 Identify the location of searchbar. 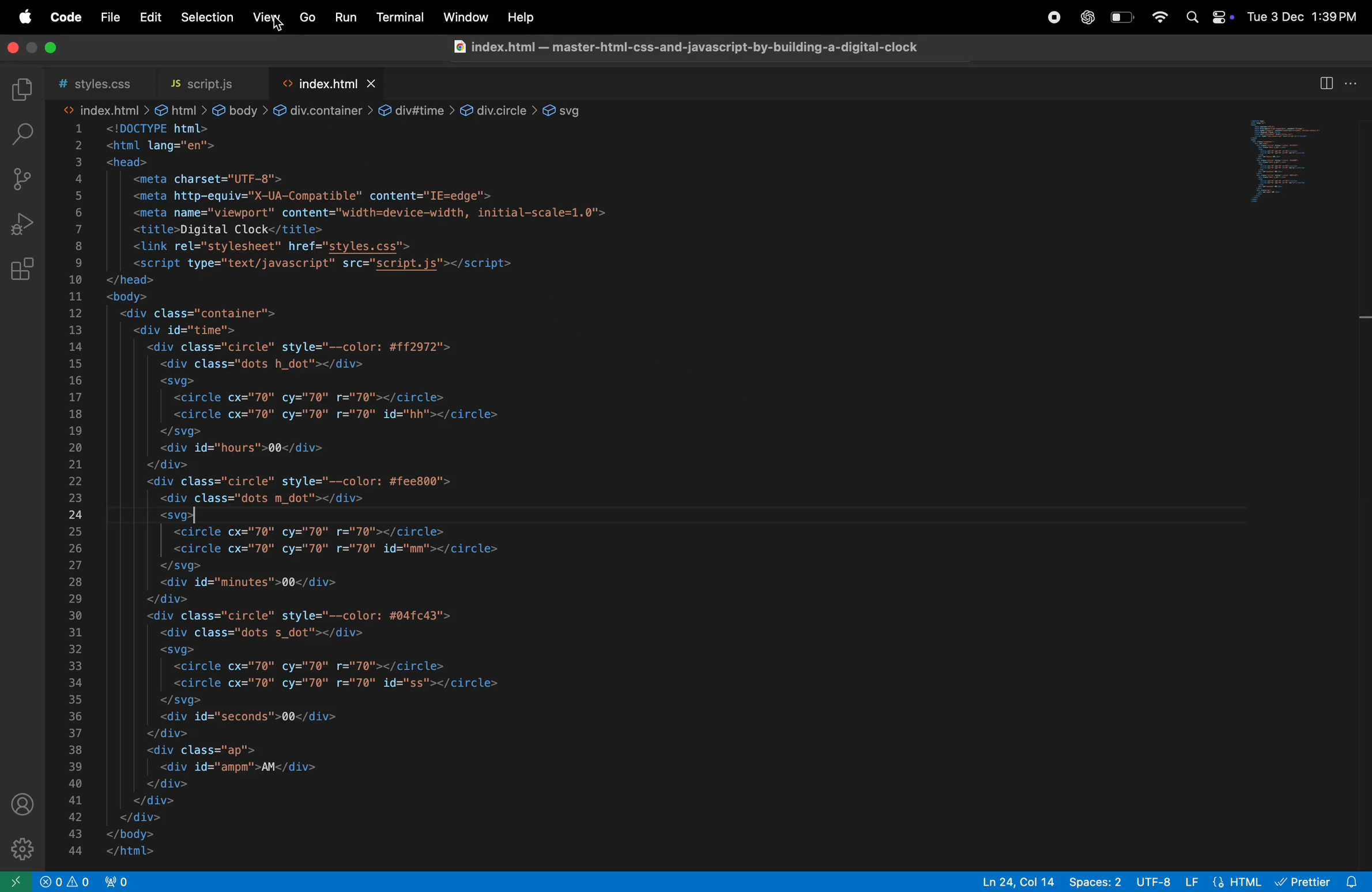
(20, 133).